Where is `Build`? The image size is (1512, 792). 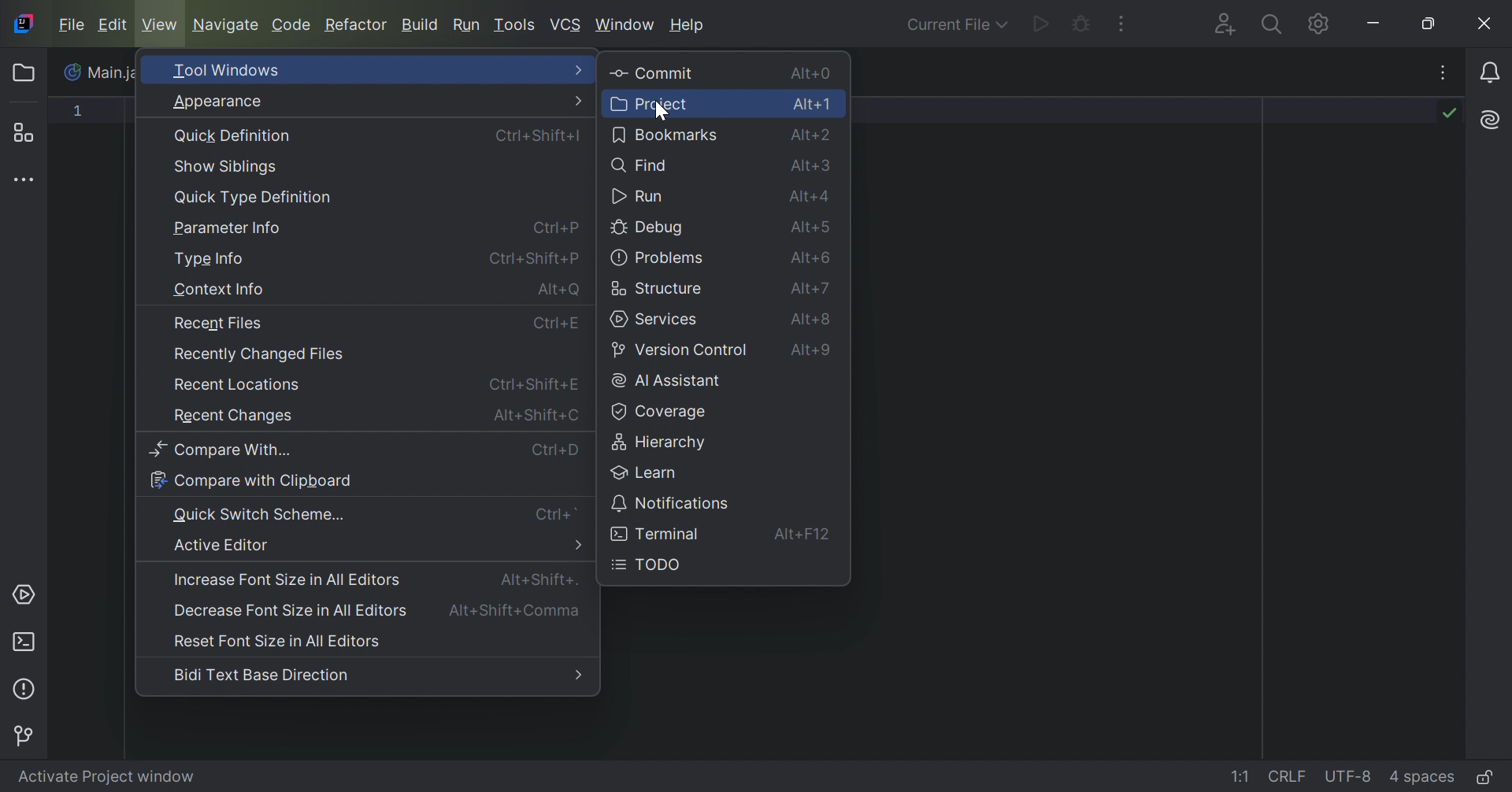
Build is located at coordinates (421, 26).